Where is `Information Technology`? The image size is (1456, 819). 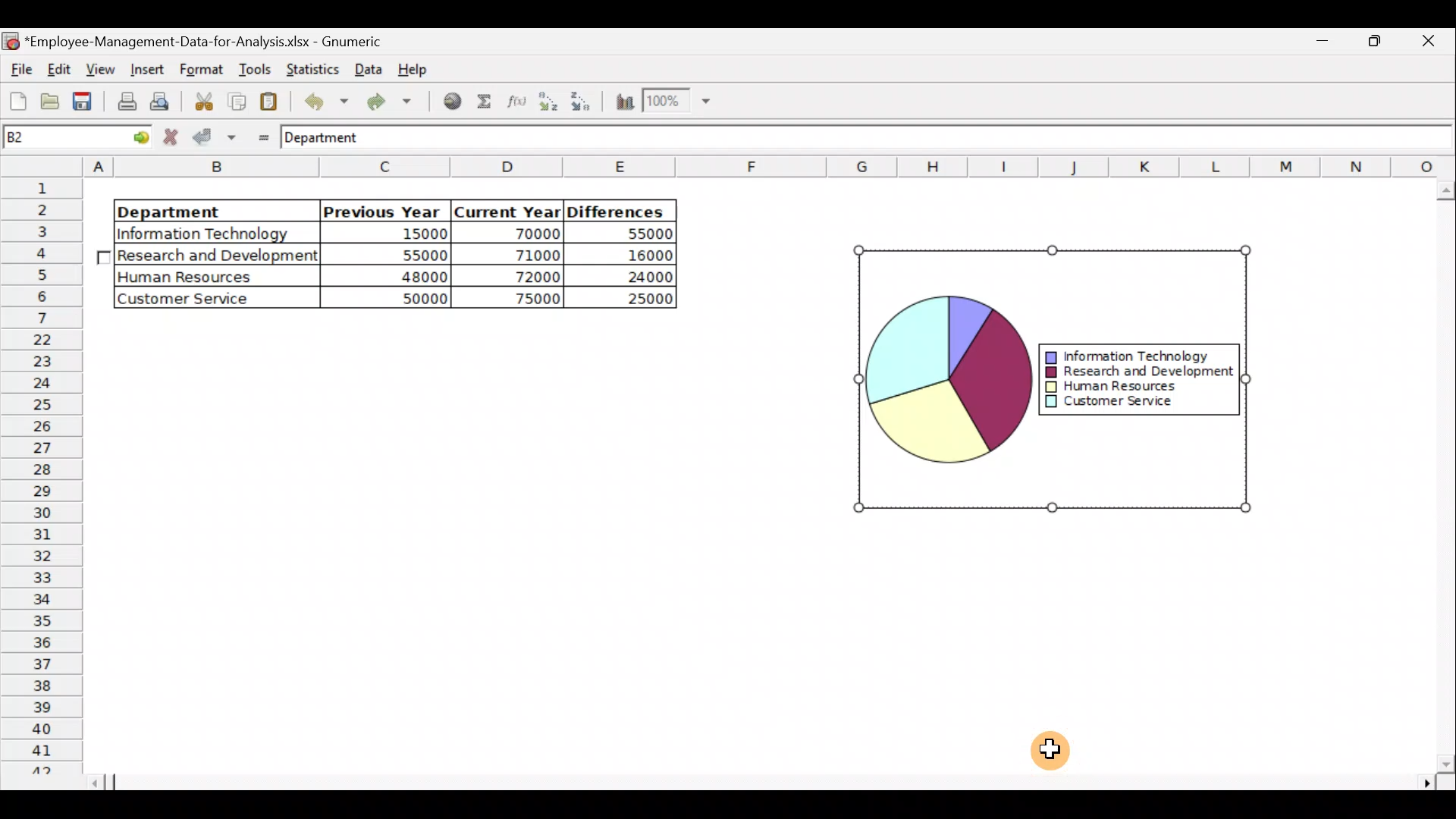 Information Technology is located at coordinates (1130, 356).